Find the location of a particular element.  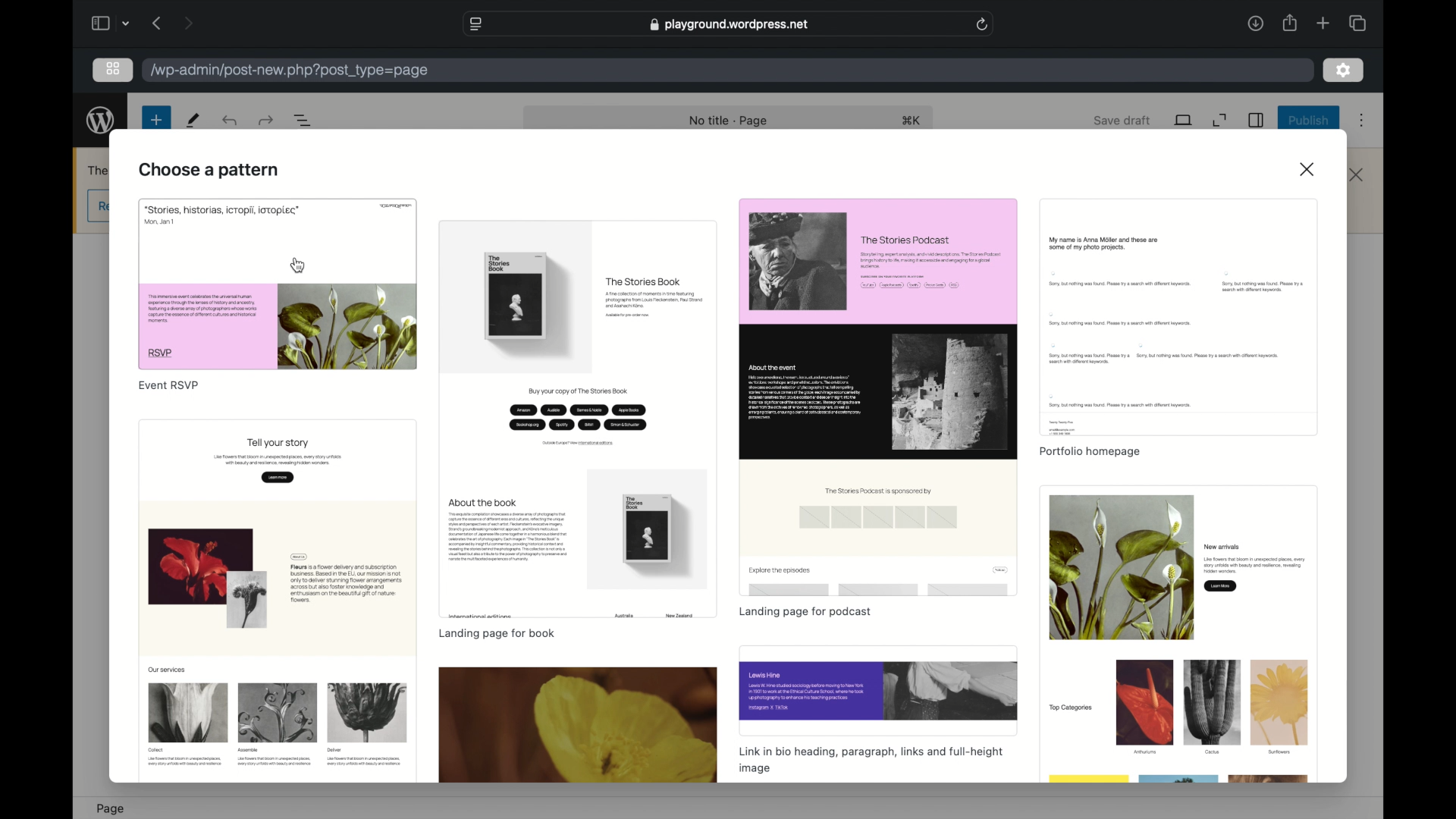

web address is located at coordinates (729, 25).